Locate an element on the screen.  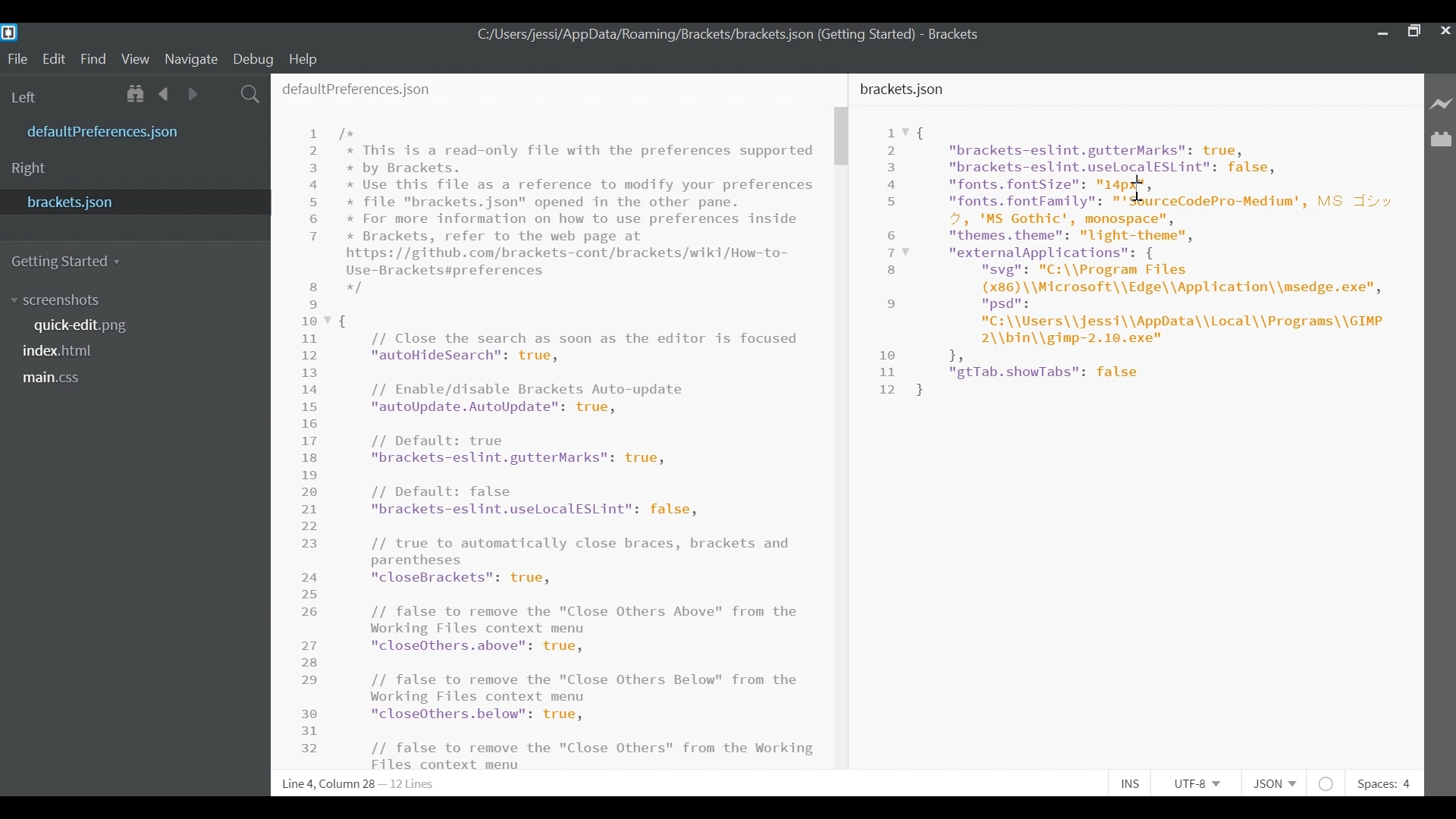
defaultPreferences.json  is located at coordinates (375, 86).